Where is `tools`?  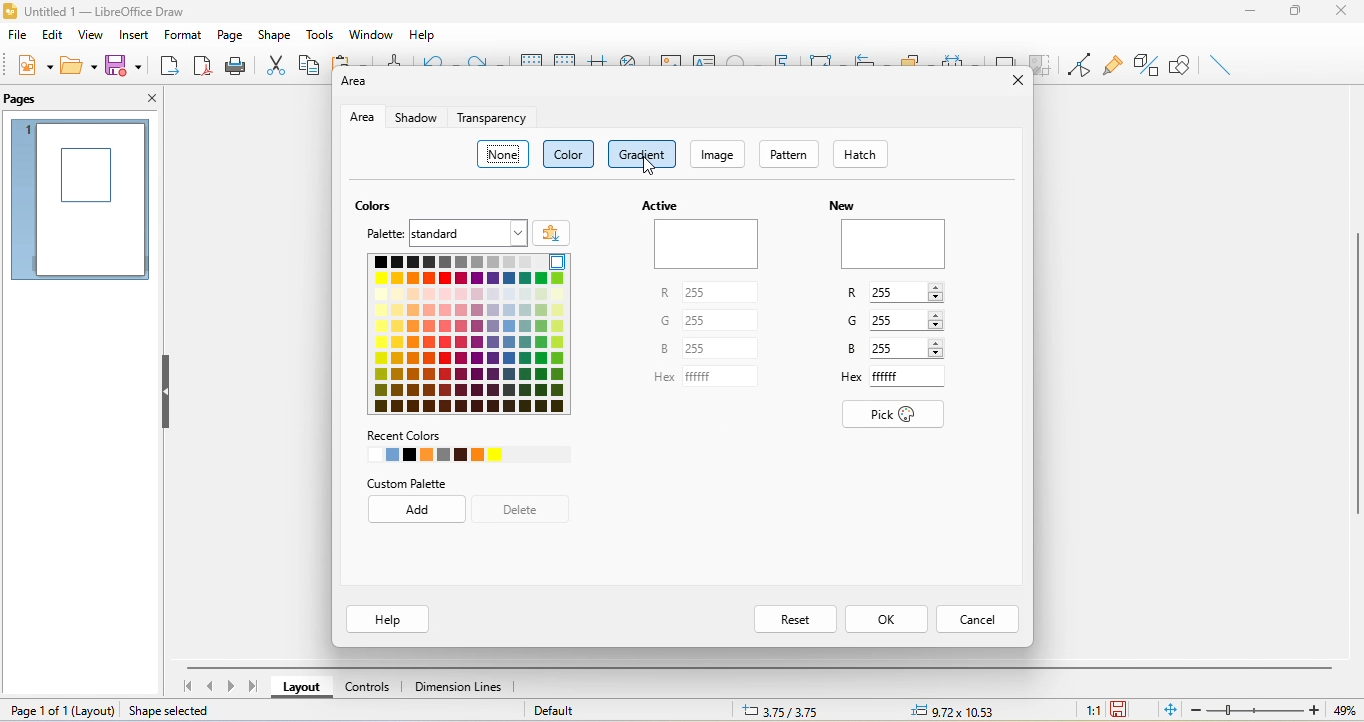
tools is located at coordinates (323, 33).